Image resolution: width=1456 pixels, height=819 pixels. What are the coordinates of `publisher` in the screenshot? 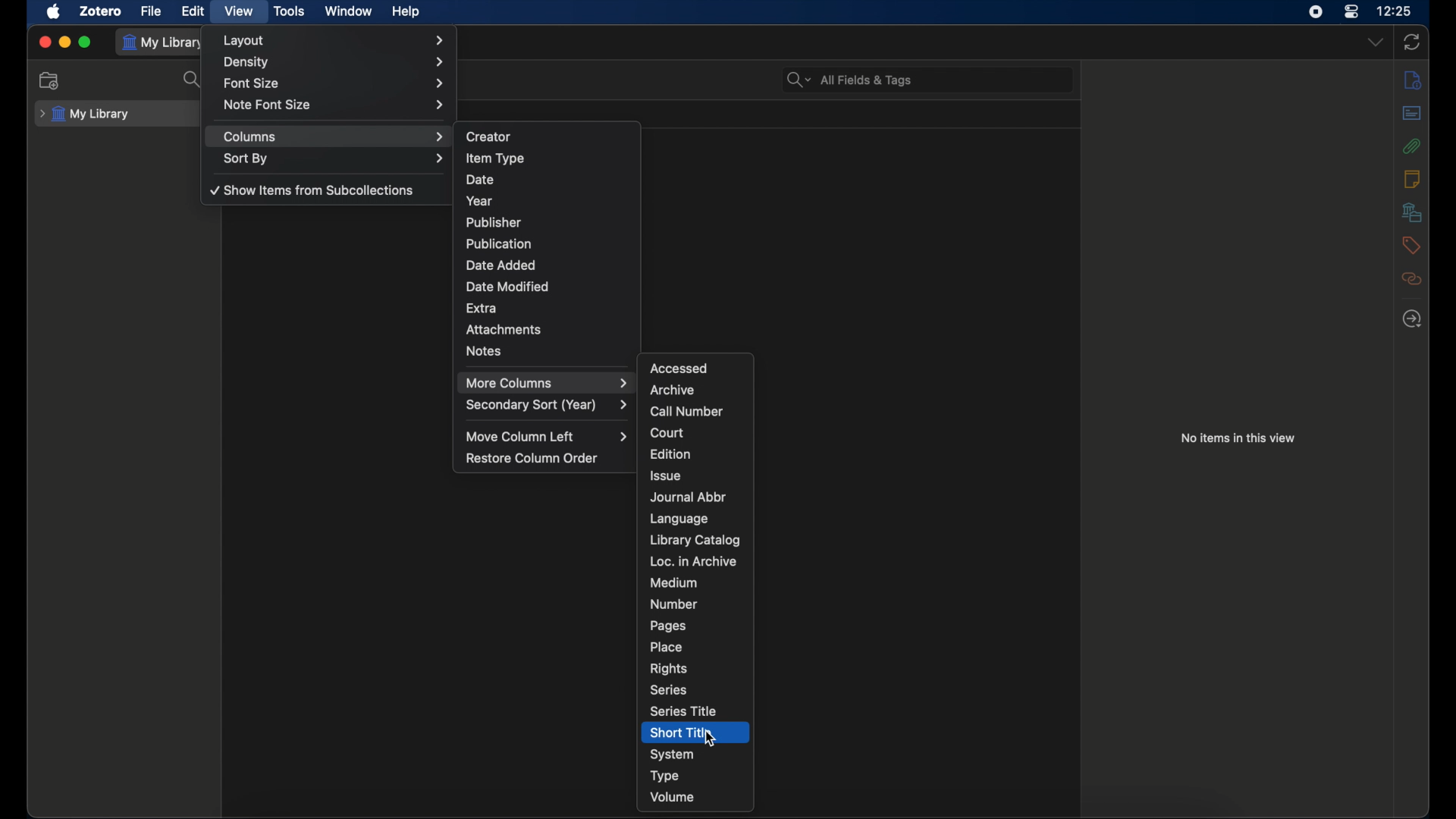 It's located at (495, 222).